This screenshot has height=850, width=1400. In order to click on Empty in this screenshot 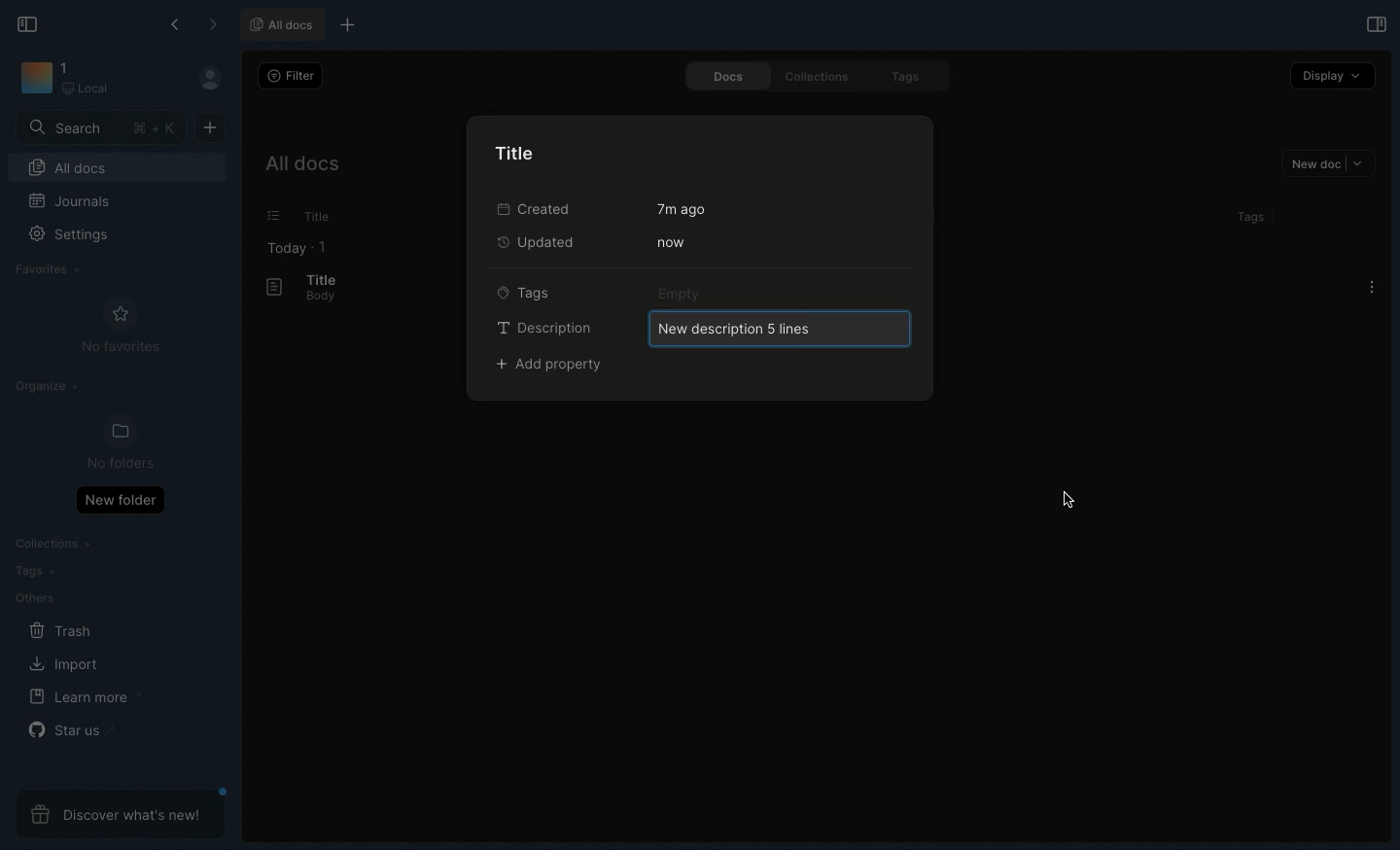, I will do `click(682, 293)`.